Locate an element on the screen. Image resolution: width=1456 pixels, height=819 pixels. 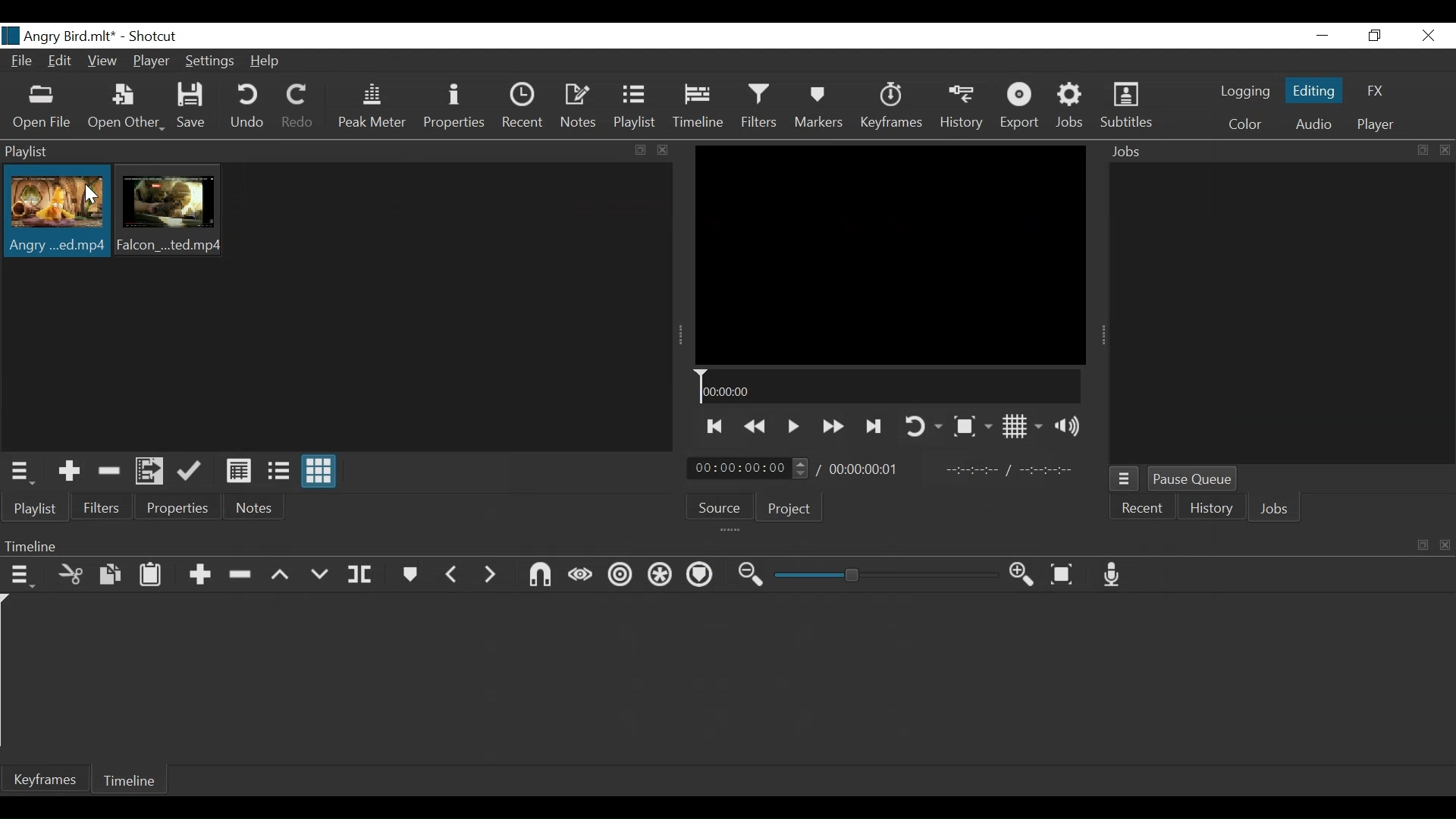
Audio is located at coordinates (1313, 124).